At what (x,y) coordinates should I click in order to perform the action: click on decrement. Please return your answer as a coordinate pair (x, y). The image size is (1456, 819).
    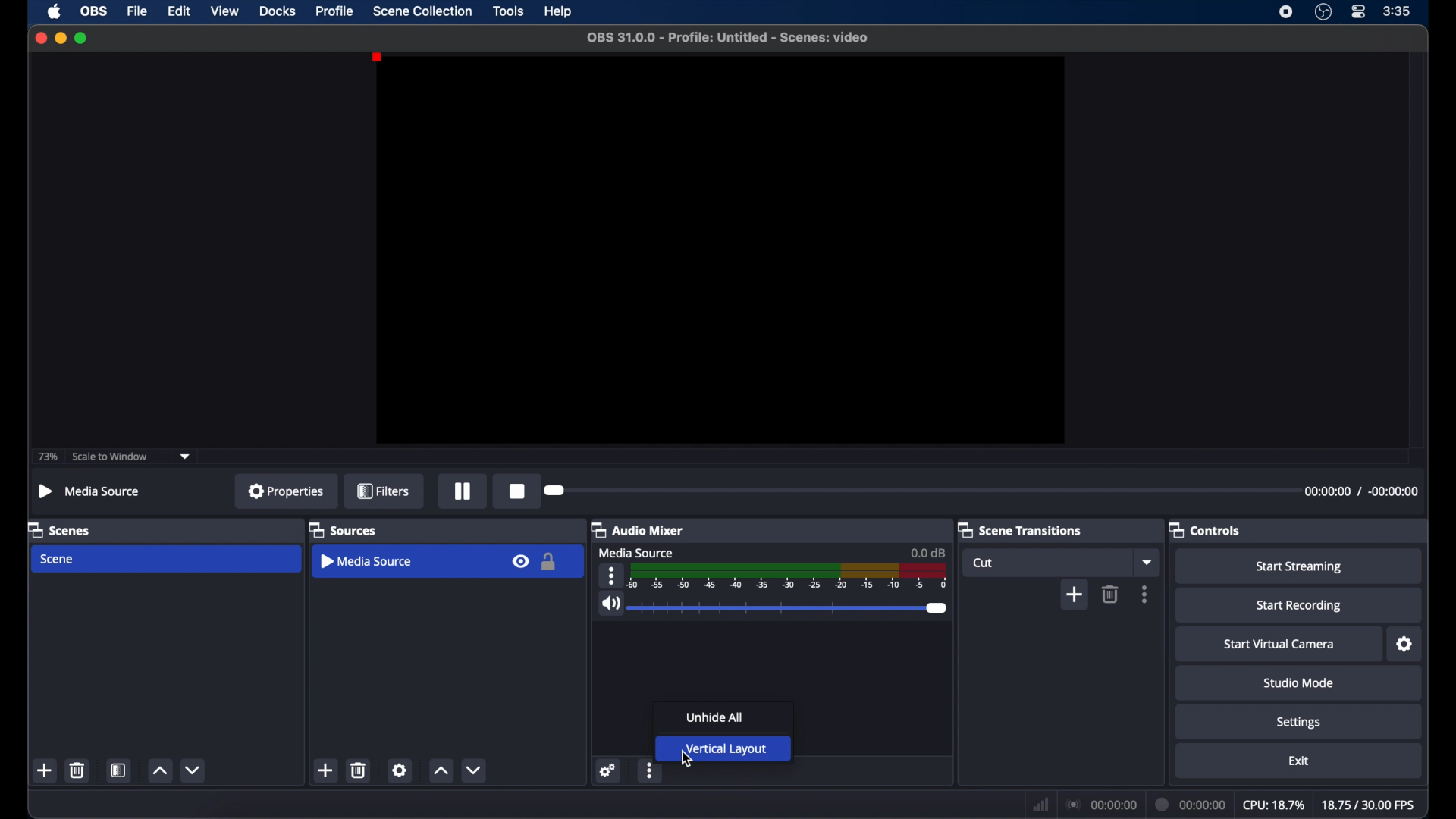
    Looking at the image, I should click on (193, 770).